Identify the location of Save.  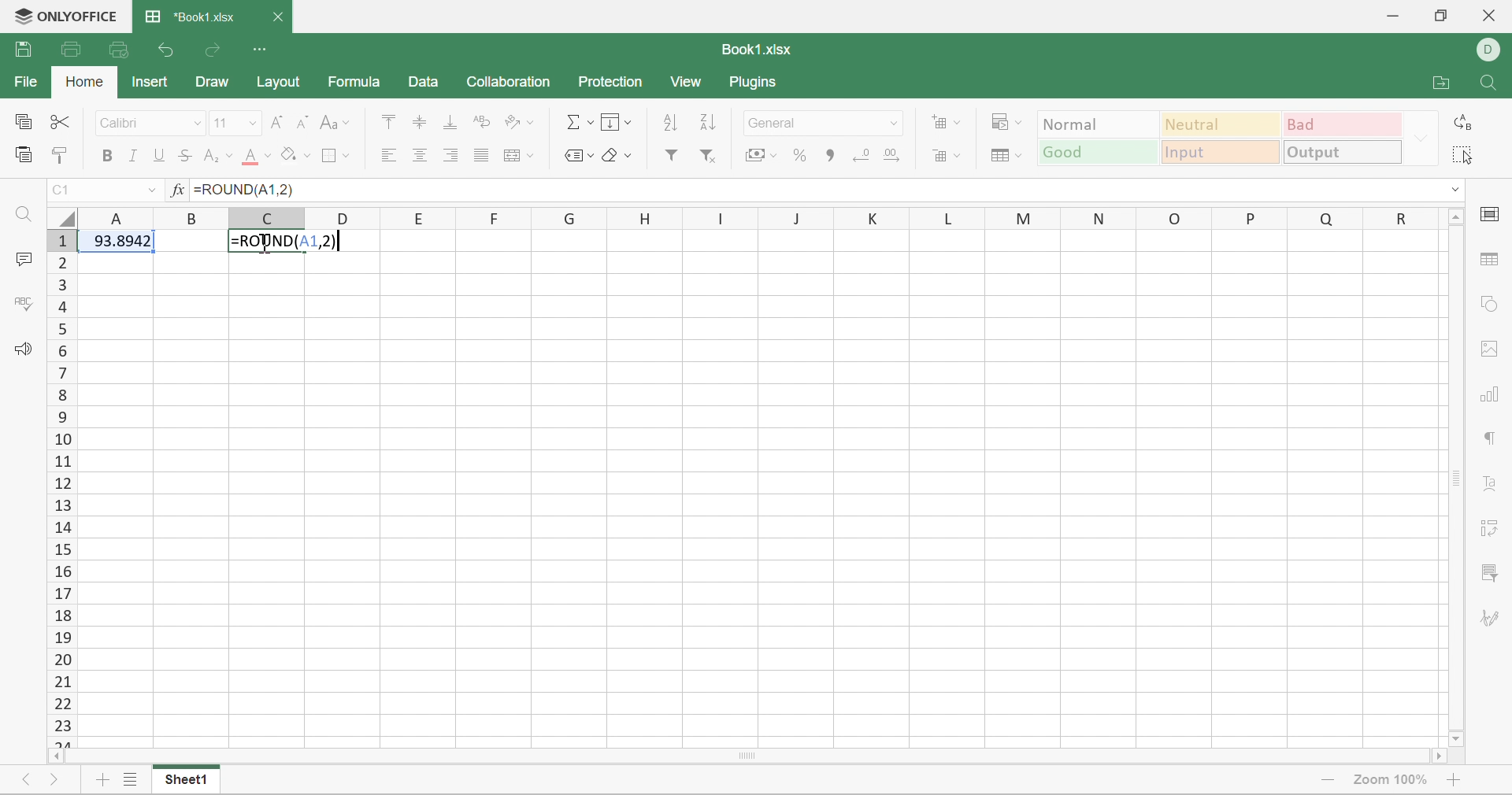
(21, 50).